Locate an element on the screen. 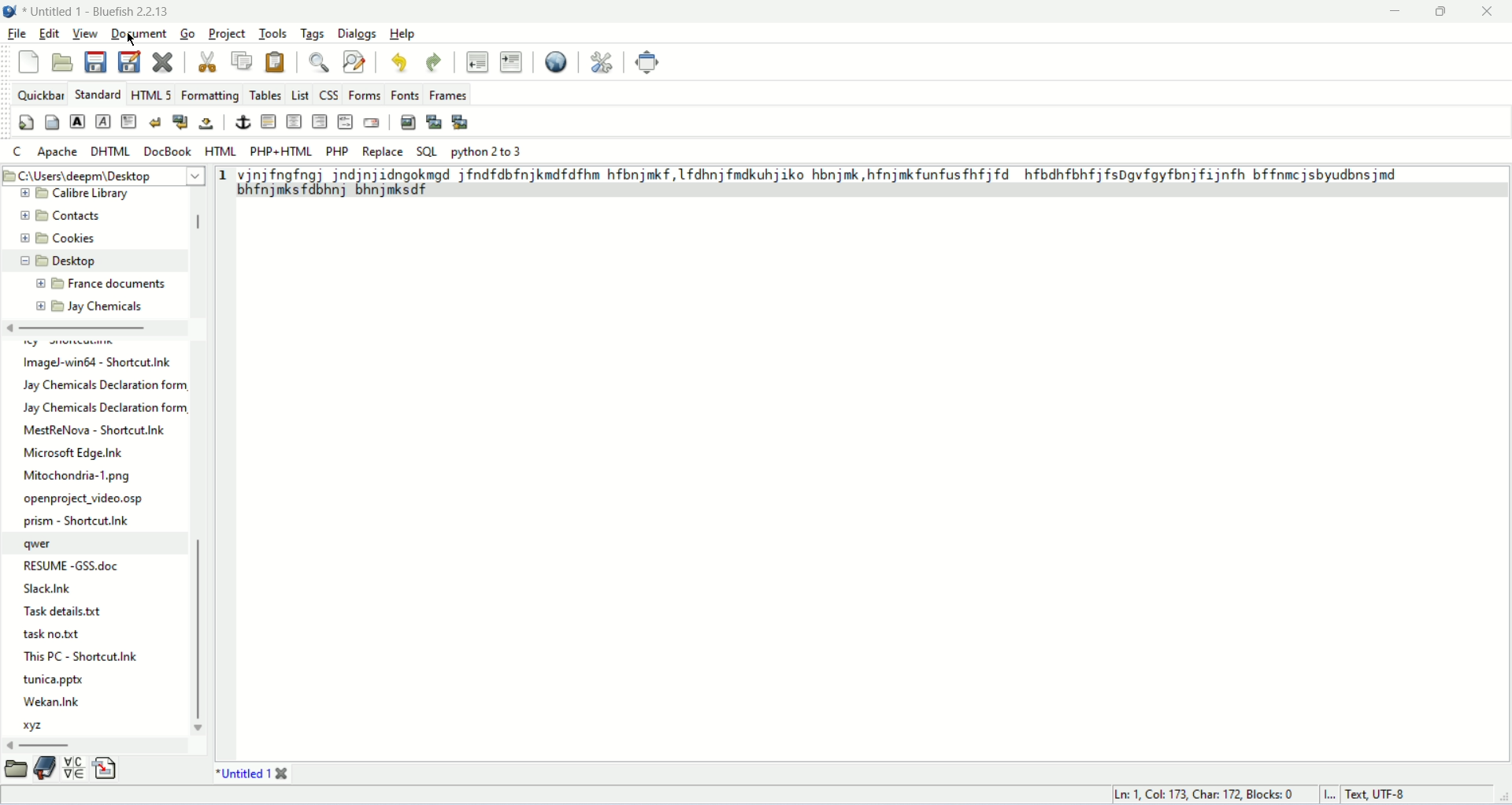  Jay Chemicals is located at coordinates (106, 306).